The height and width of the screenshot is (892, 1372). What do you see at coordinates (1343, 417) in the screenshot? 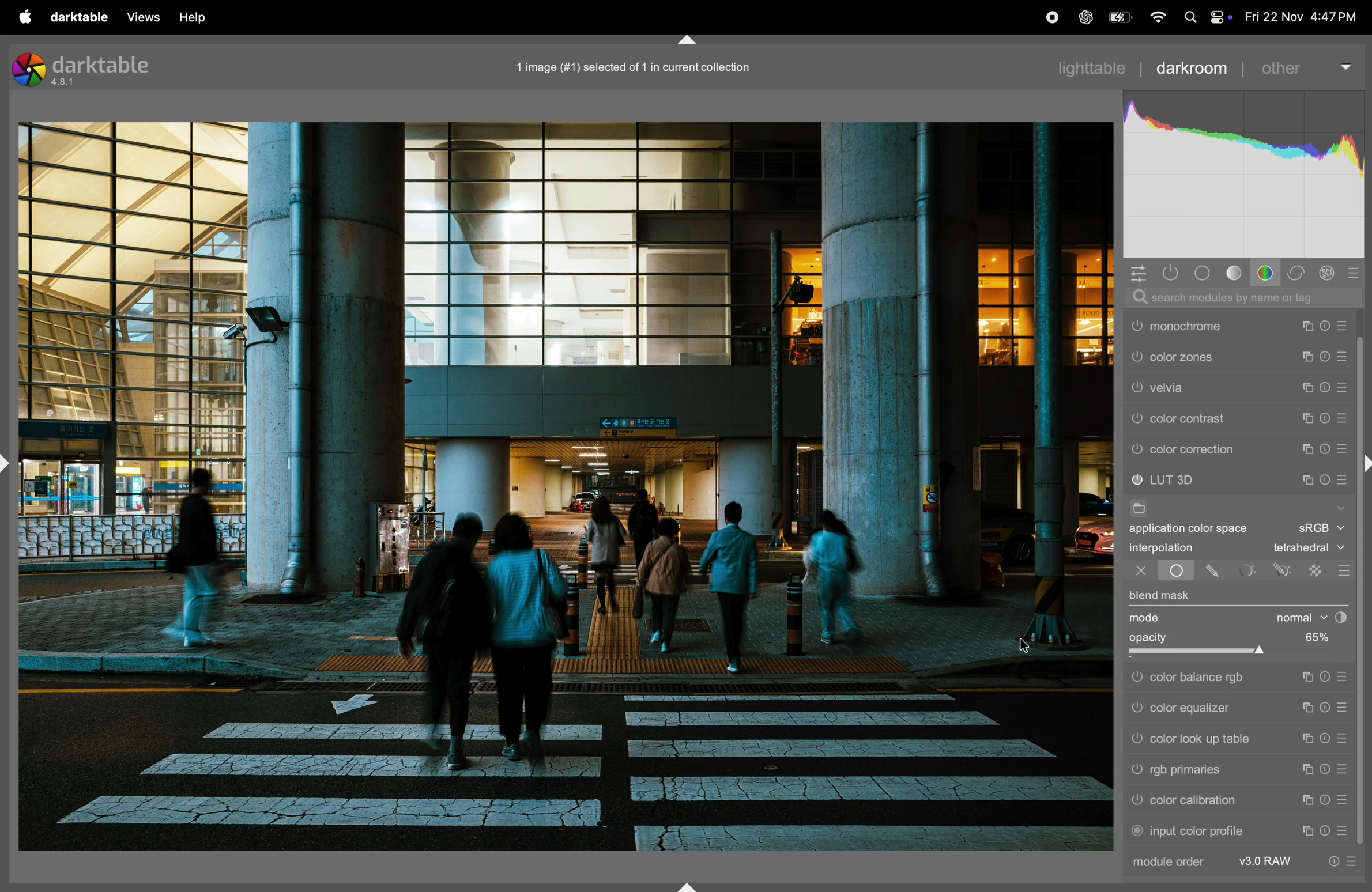
I see `presets` at bounding box center [1343, 417].